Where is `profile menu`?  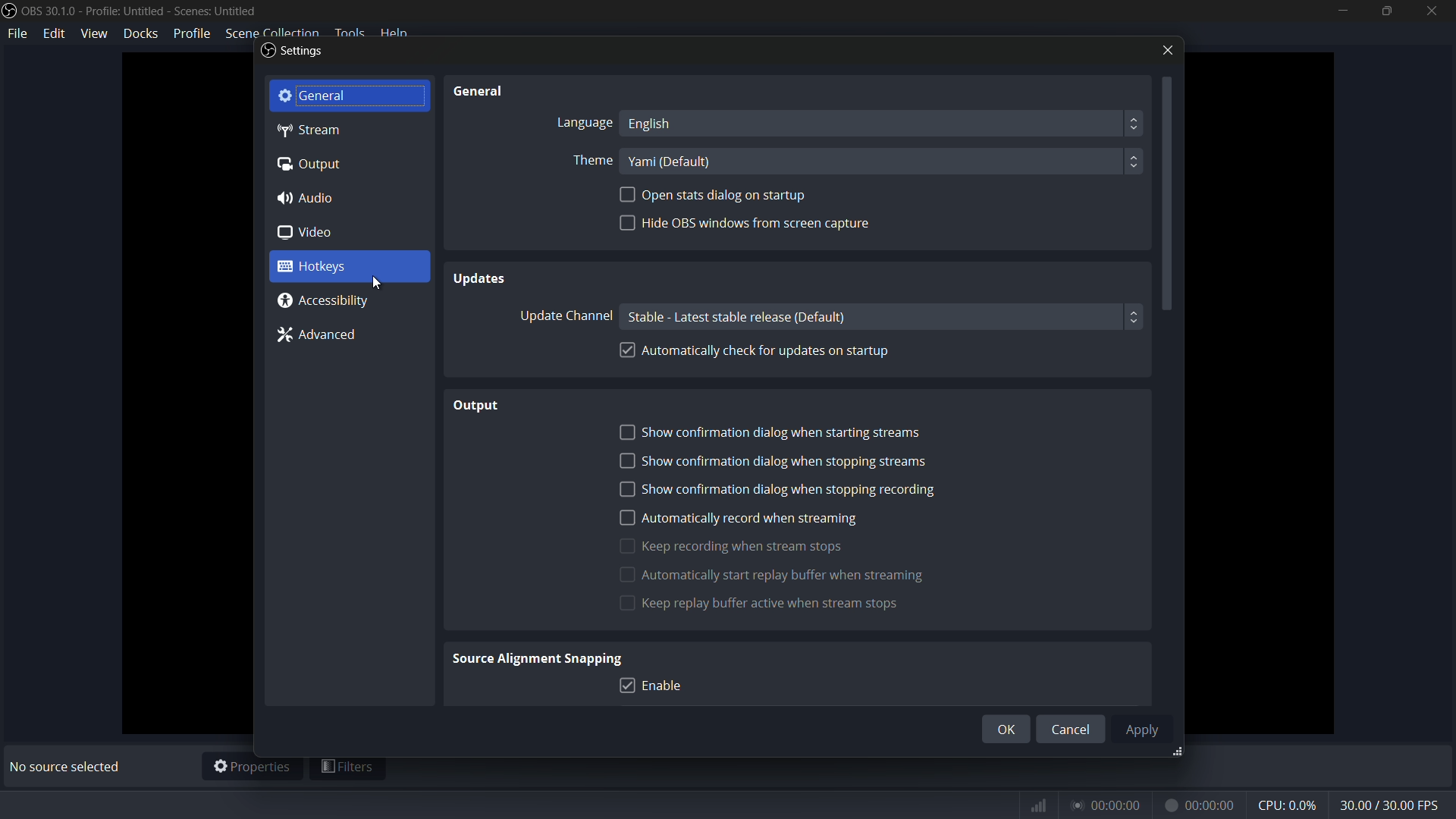 profile menu is located at coordinates (191, 33).